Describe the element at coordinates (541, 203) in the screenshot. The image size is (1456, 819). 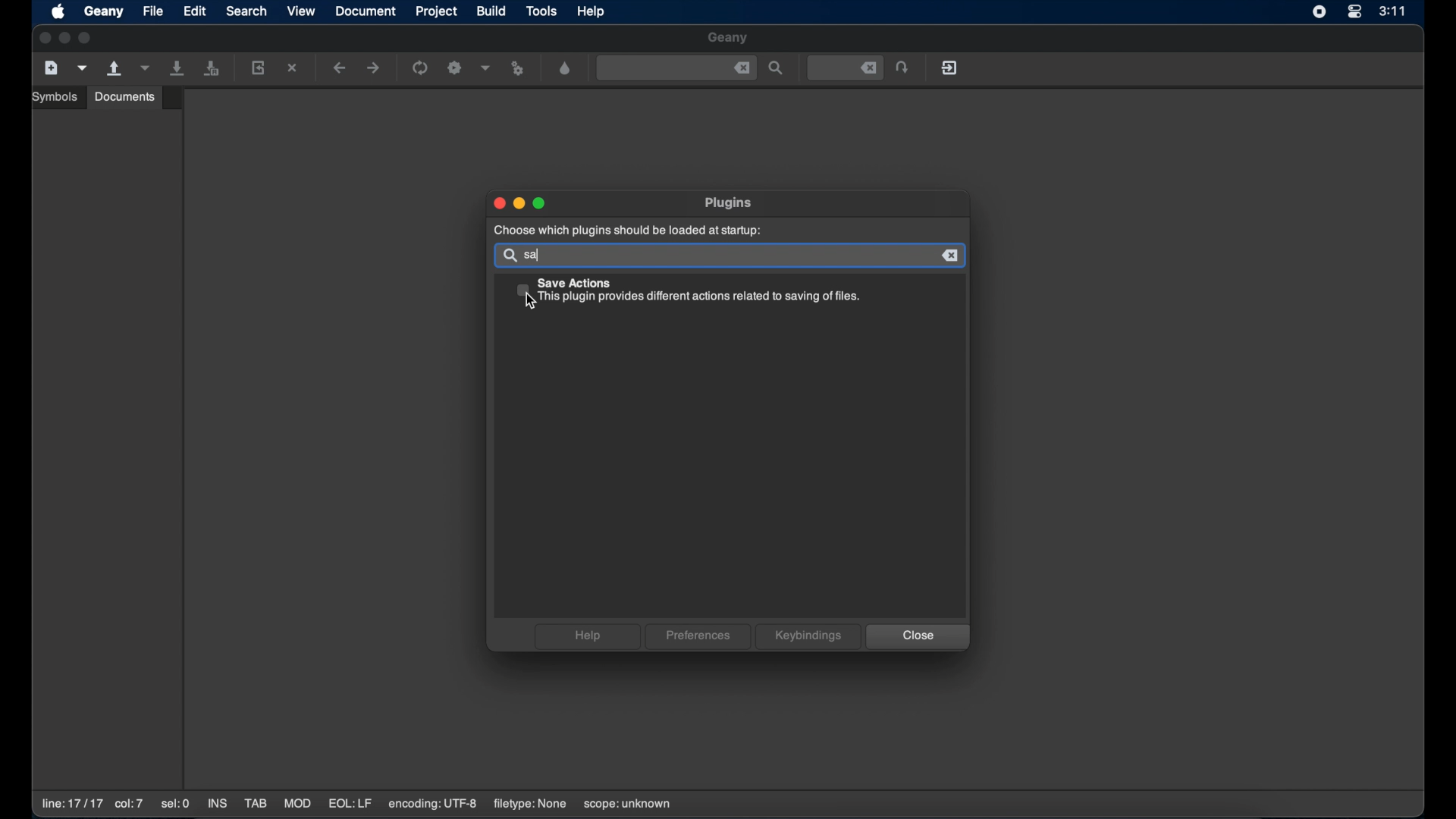
I see `maximize` at that location.